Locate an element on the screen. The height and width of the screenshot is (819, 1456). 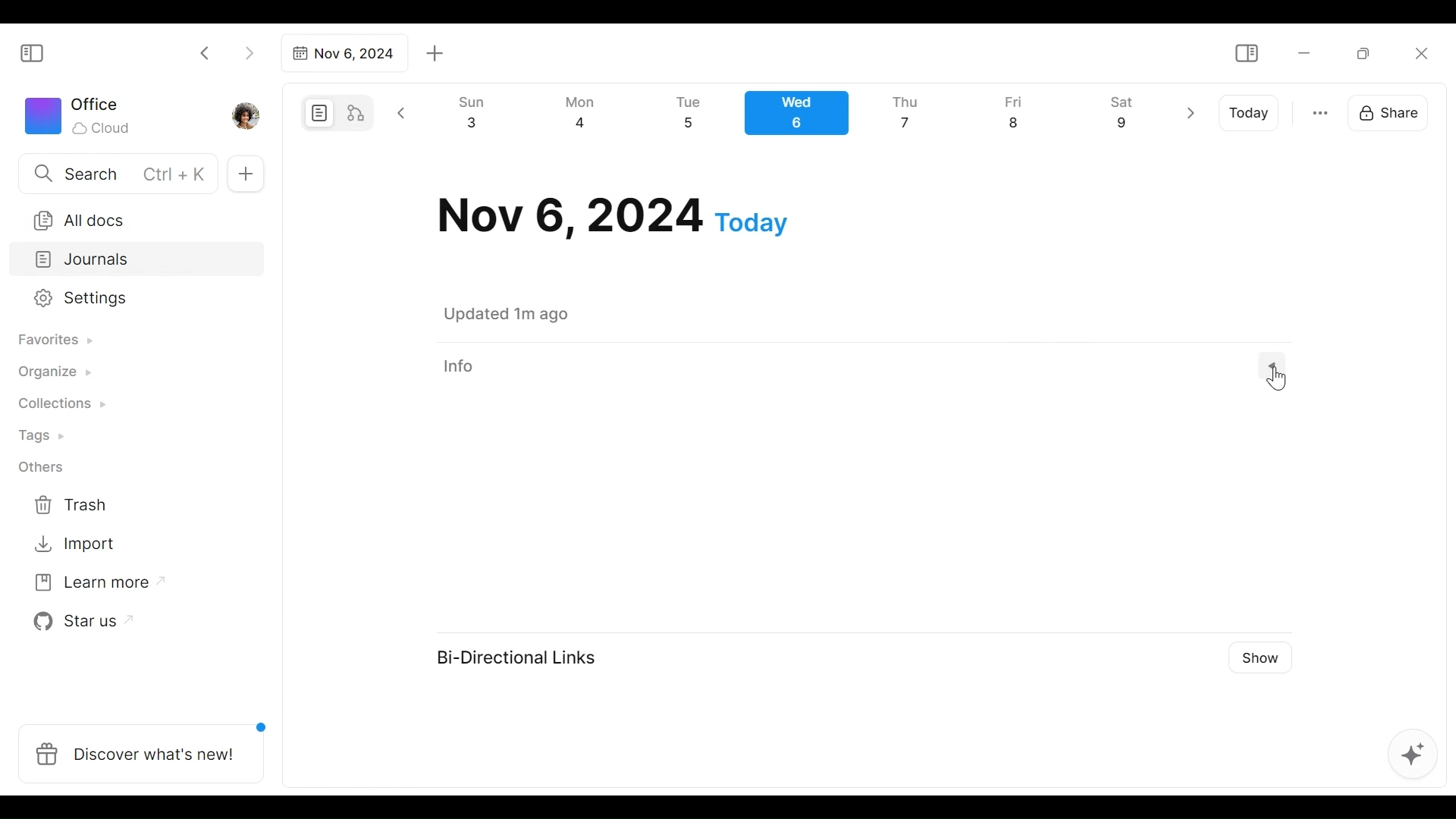
Workspace icon is located at coordinates (80, 114).